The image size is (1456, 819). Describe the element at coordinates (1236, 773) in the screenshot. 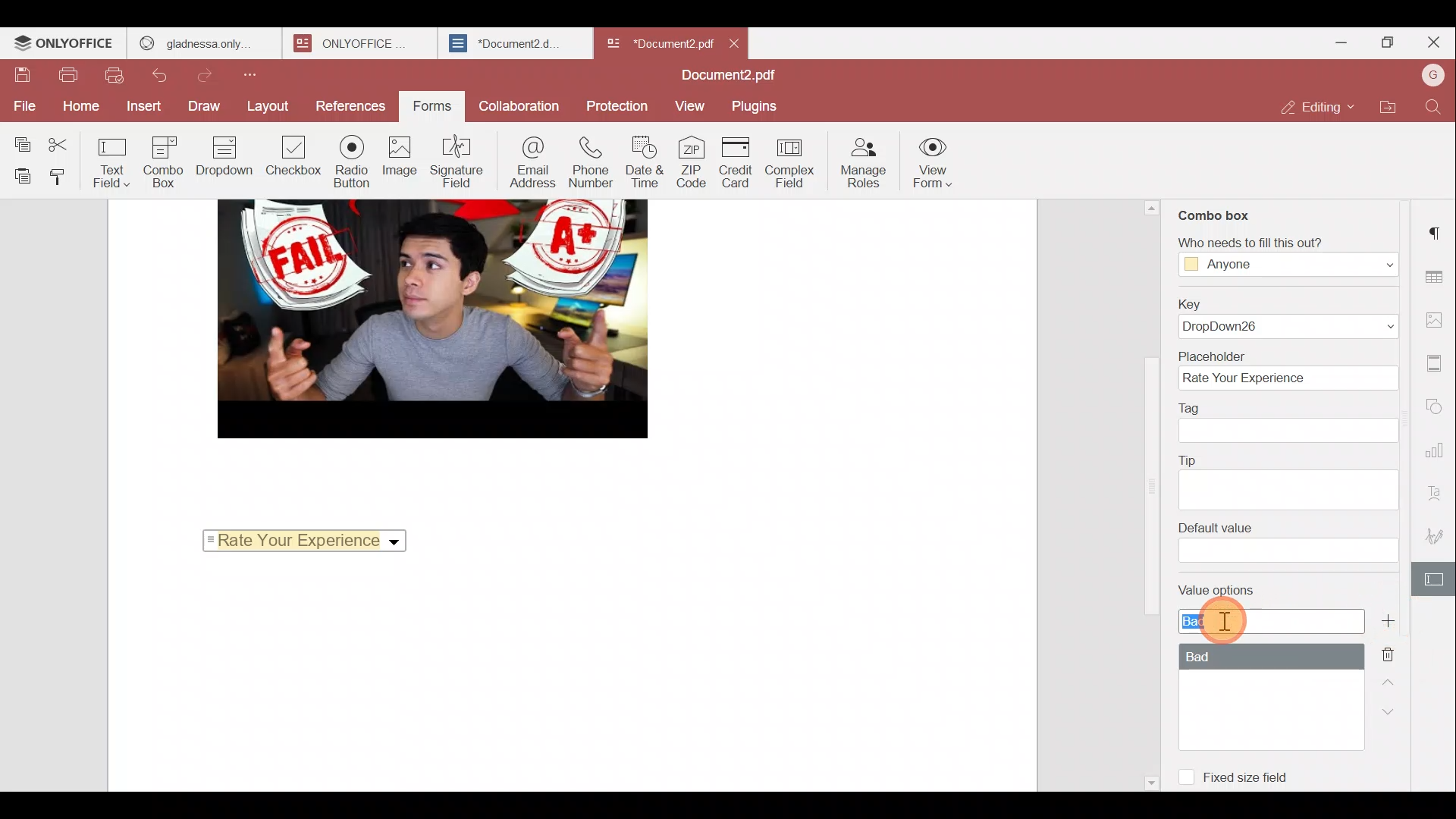

I see `Fixed size field` at that location.